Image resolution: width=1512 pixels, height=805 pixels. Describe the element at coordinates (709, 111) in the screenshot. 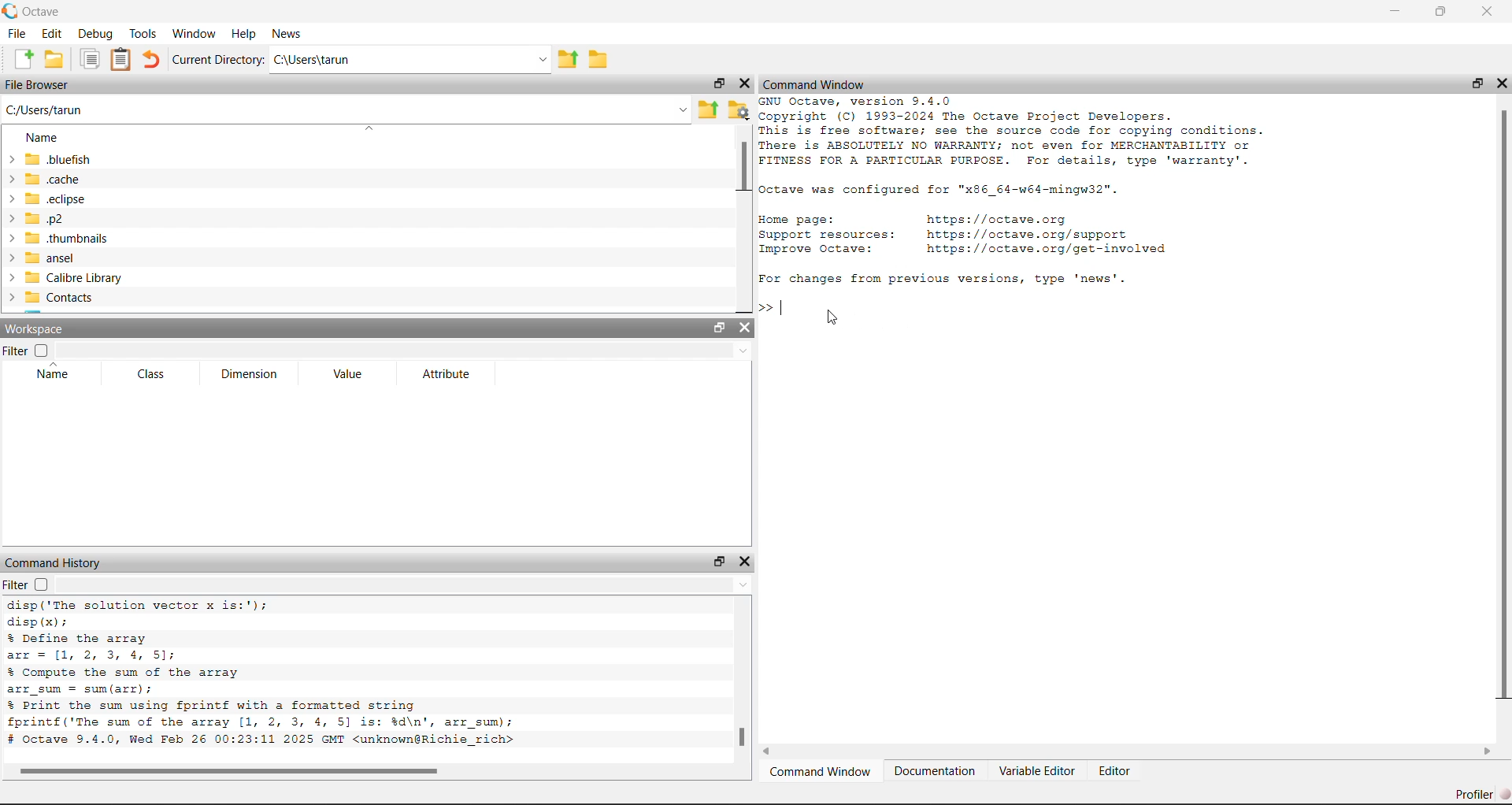

I see `One directory up` at that location.